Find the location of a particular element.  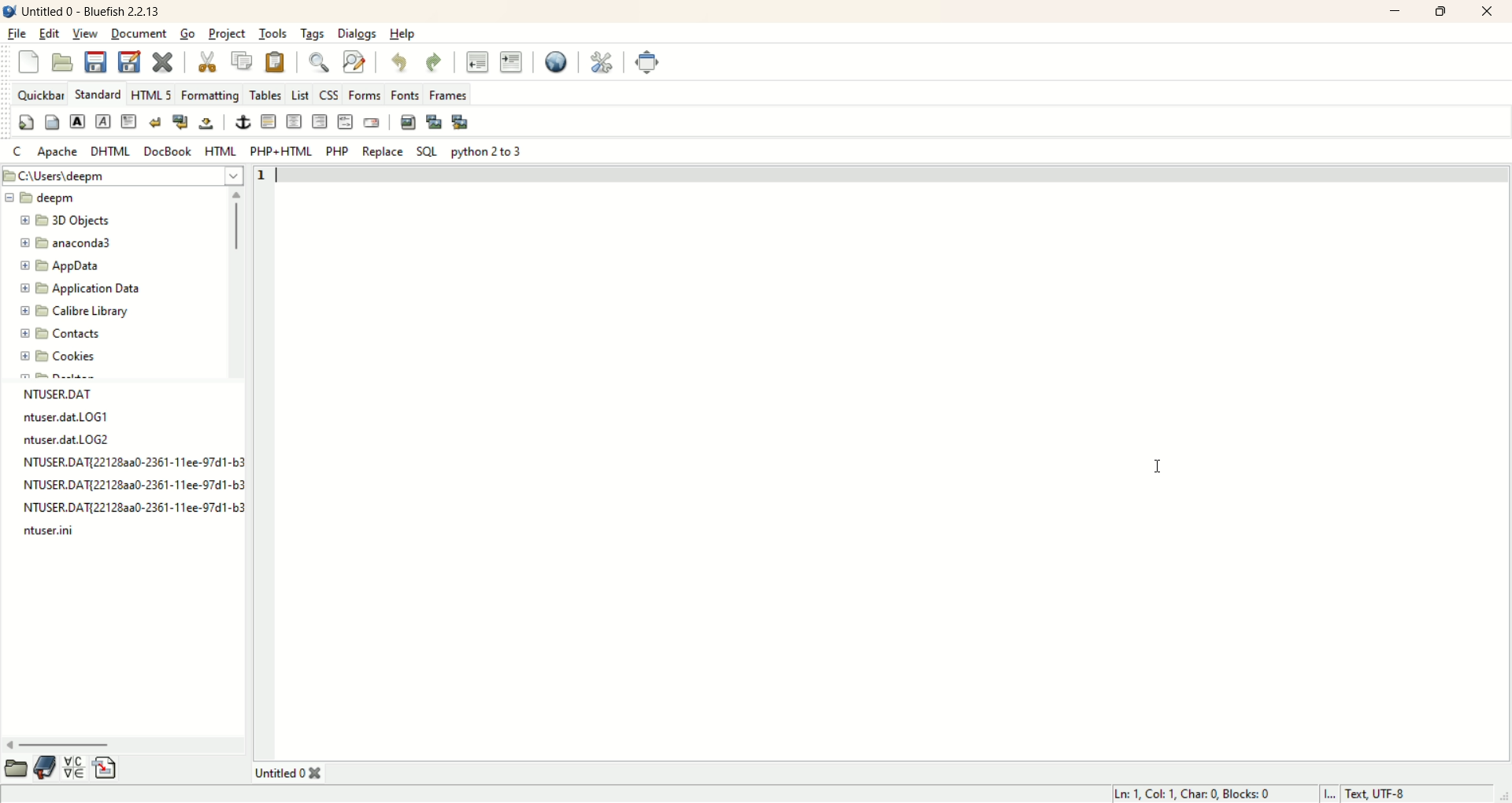

copy is located at coordinates (241, 61).